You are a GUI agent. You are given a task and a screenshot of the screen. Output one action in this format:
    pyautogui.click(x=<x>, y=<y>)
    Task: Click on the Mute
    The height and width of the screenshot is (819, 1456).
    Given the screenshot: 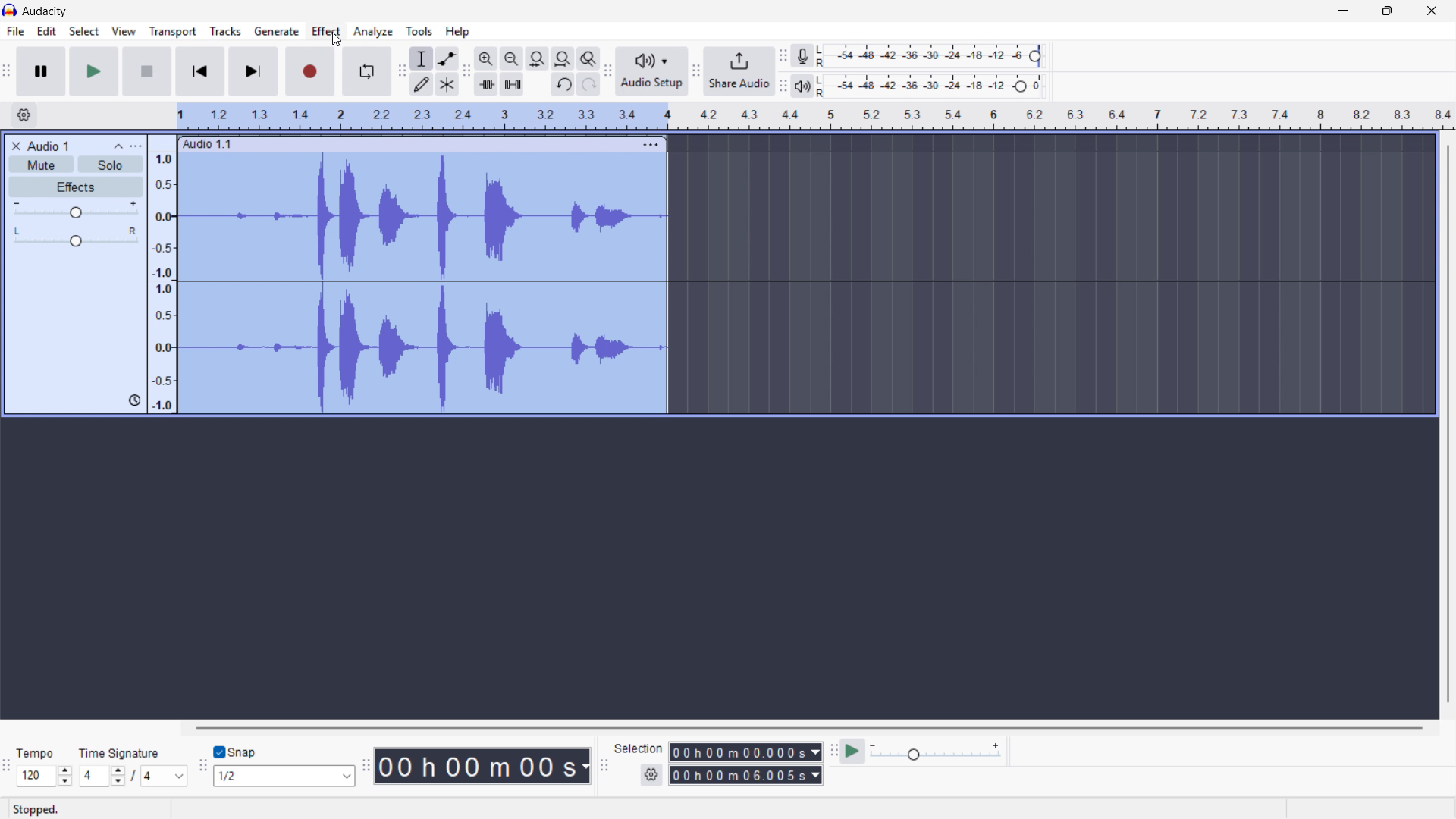 What is the action you would take?
    pyautogui.click(x=42, y=165)
    